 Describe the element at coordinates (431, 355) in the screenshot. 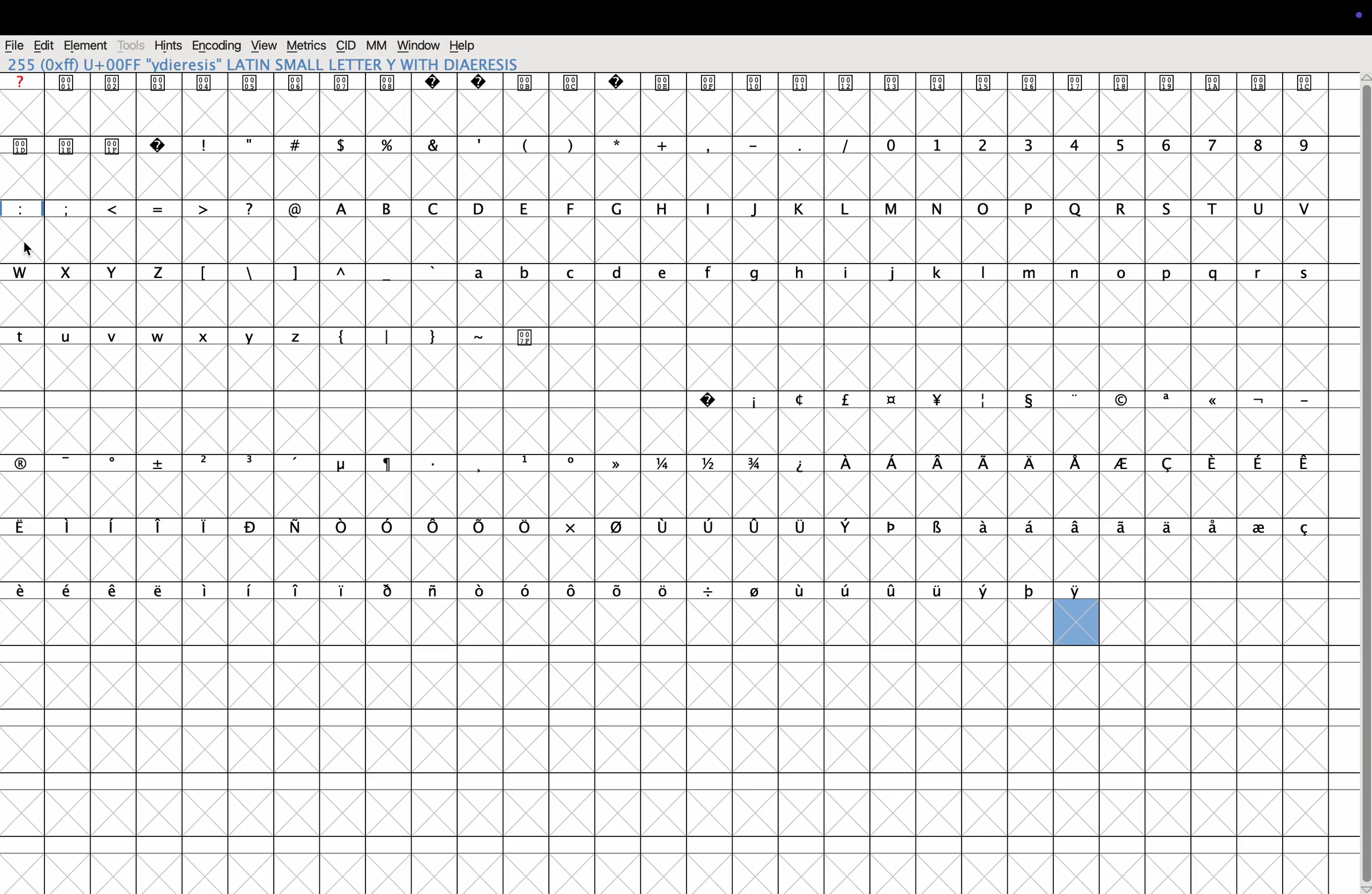

I see `}` at that location.